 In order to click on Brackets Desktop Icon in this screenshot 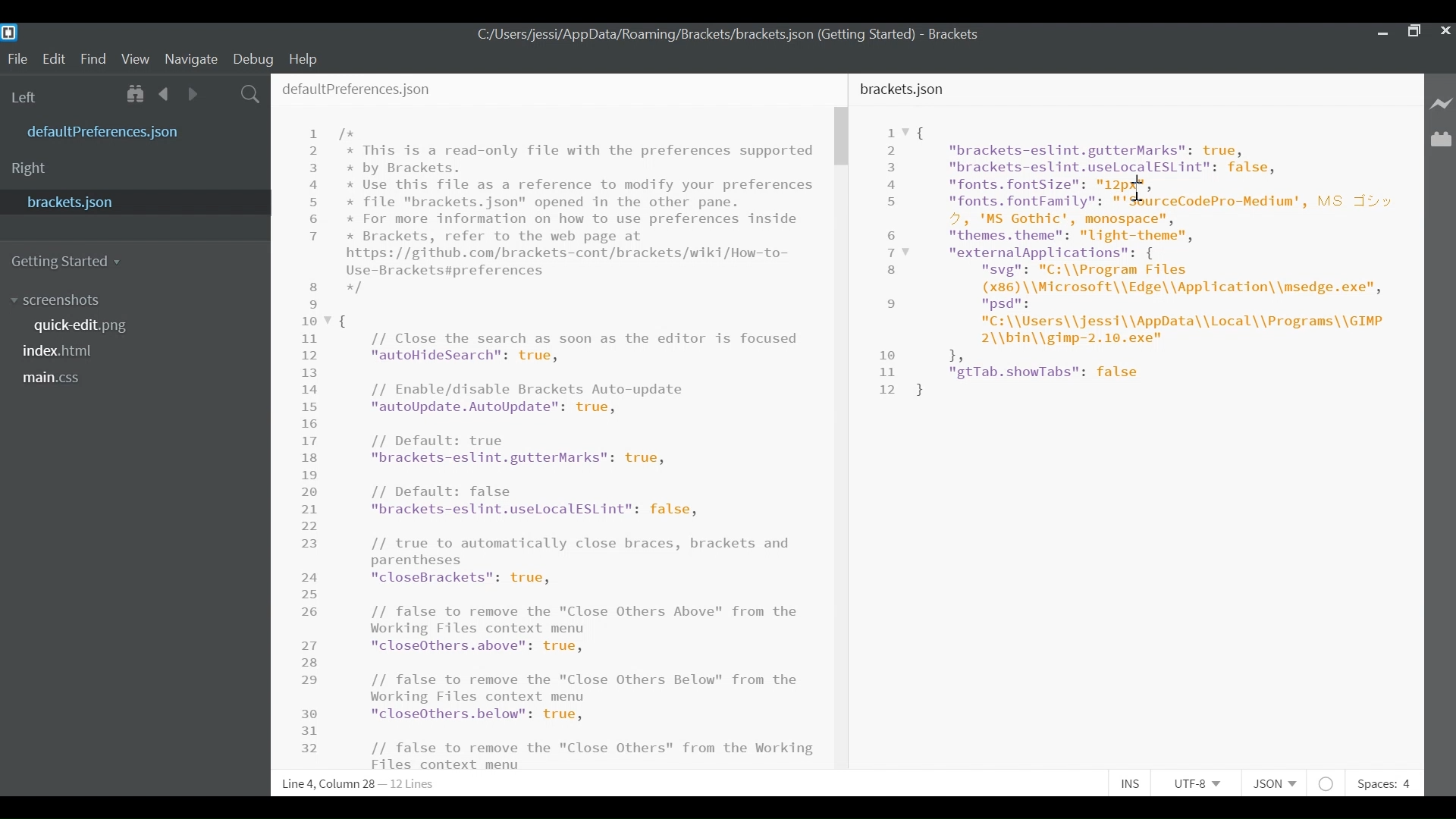, I will do `click(11, 32)`.